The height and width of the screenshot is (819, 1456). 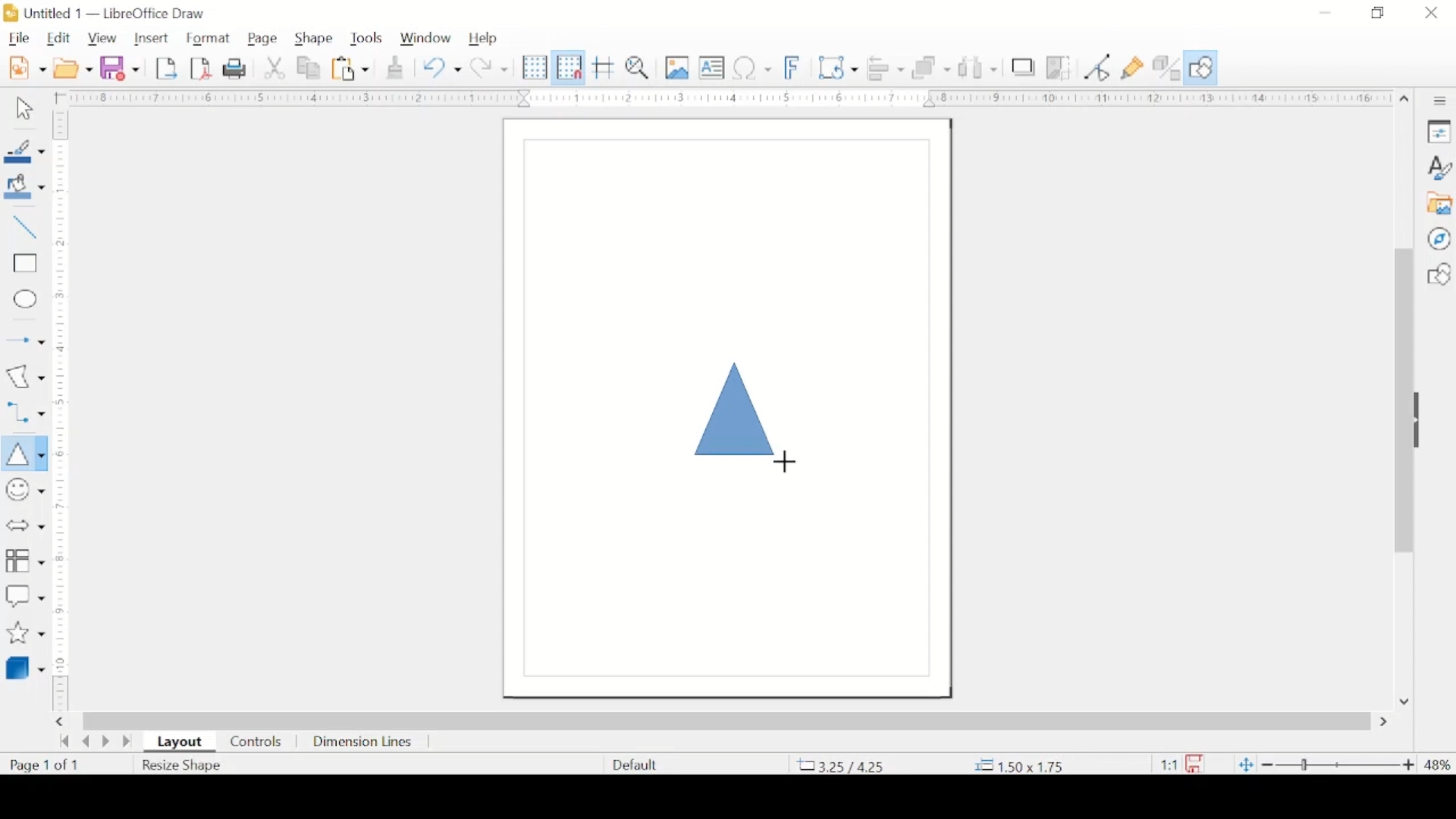 What do you see at coordinates (1097, 67) in the screenshot?
I see `toggle point edit mode` at bounding box center [1097, 67].